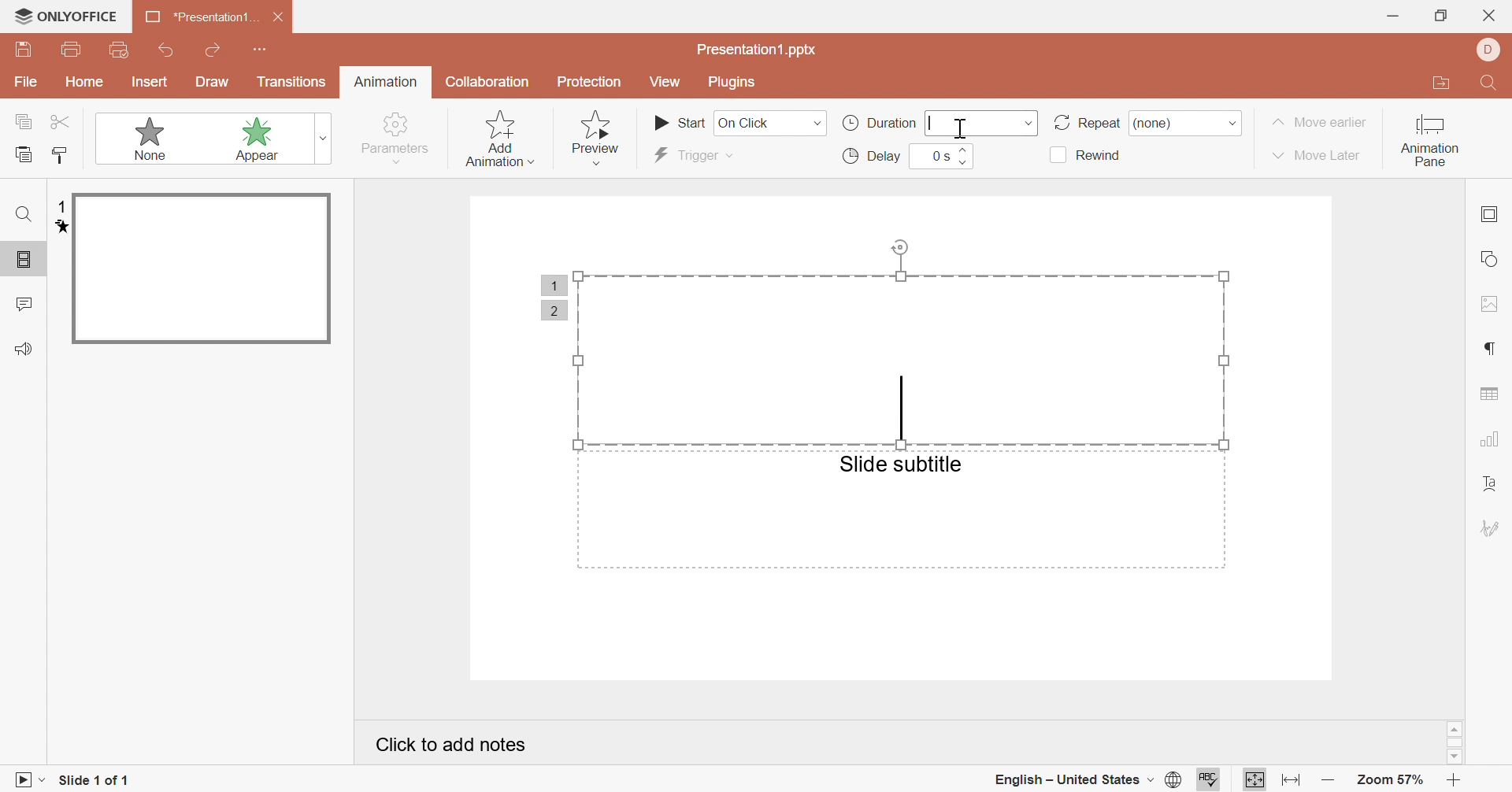 Image resolution: width=1512 pixels, height=792 pixels. I want to click on protection, so click(588, 83).